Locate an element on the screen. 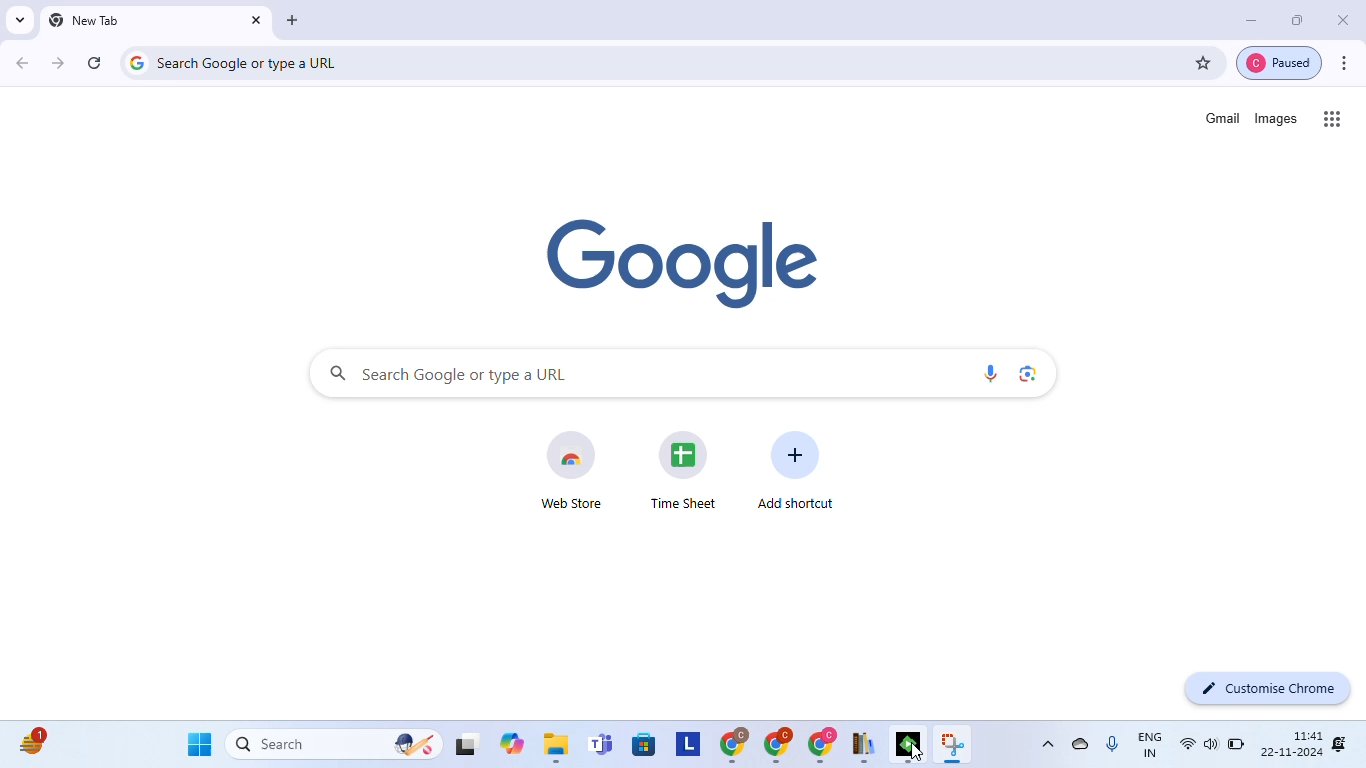 The width and height of the screenshot is (1366, 768). close is located at coordinates (1344, 19).